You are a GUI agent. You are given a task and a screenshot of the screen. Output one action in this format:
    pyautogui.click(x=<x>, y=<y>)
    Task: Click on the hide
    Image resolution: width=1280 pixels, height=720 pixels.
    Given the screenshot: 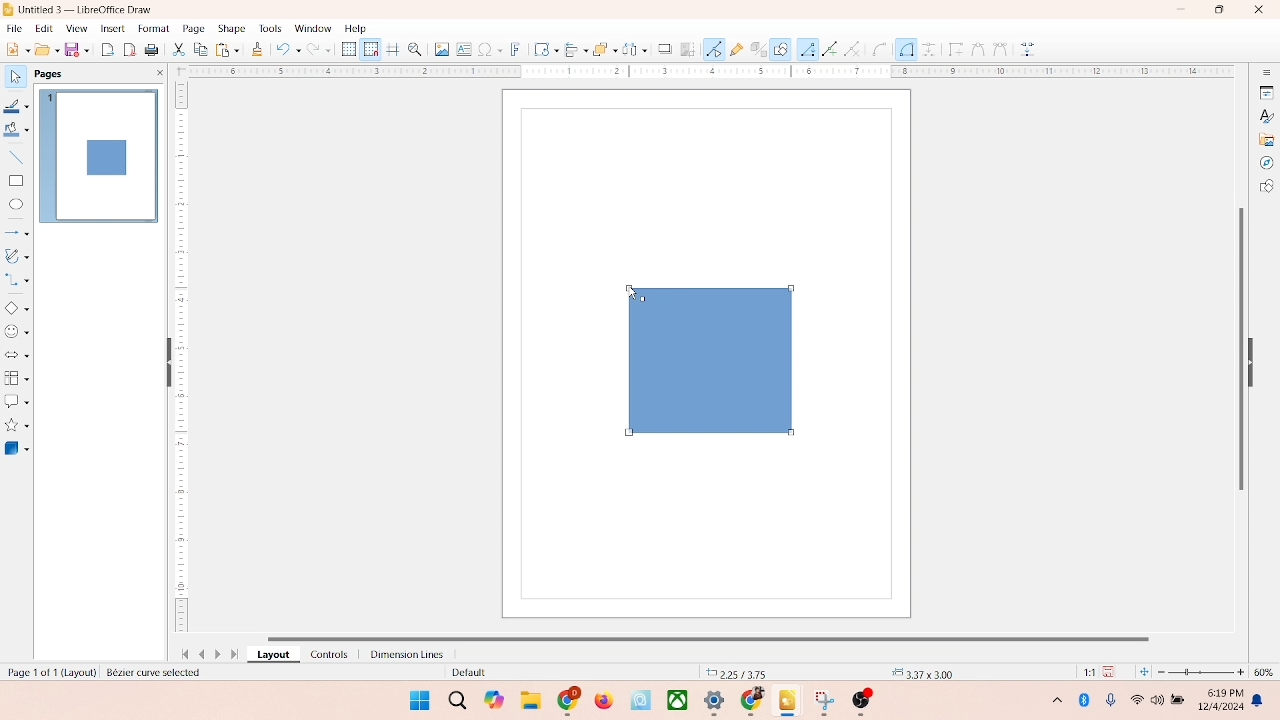 What is the action you would take?
    pyautogui.click(x=1256, y=359)
    